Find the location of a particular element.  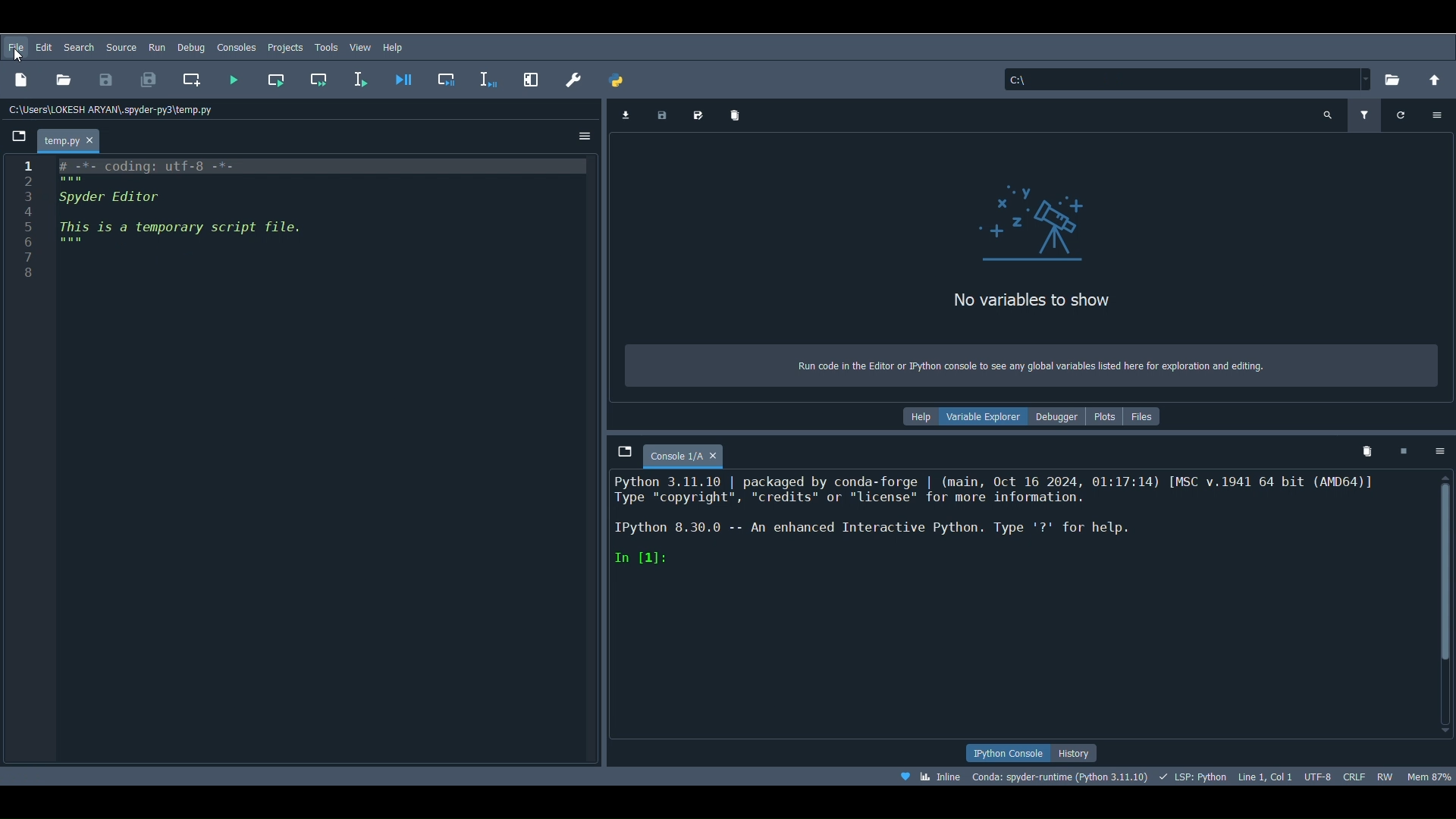

Debug file (Ctrl + F5) is located at coordinates (405, 76).